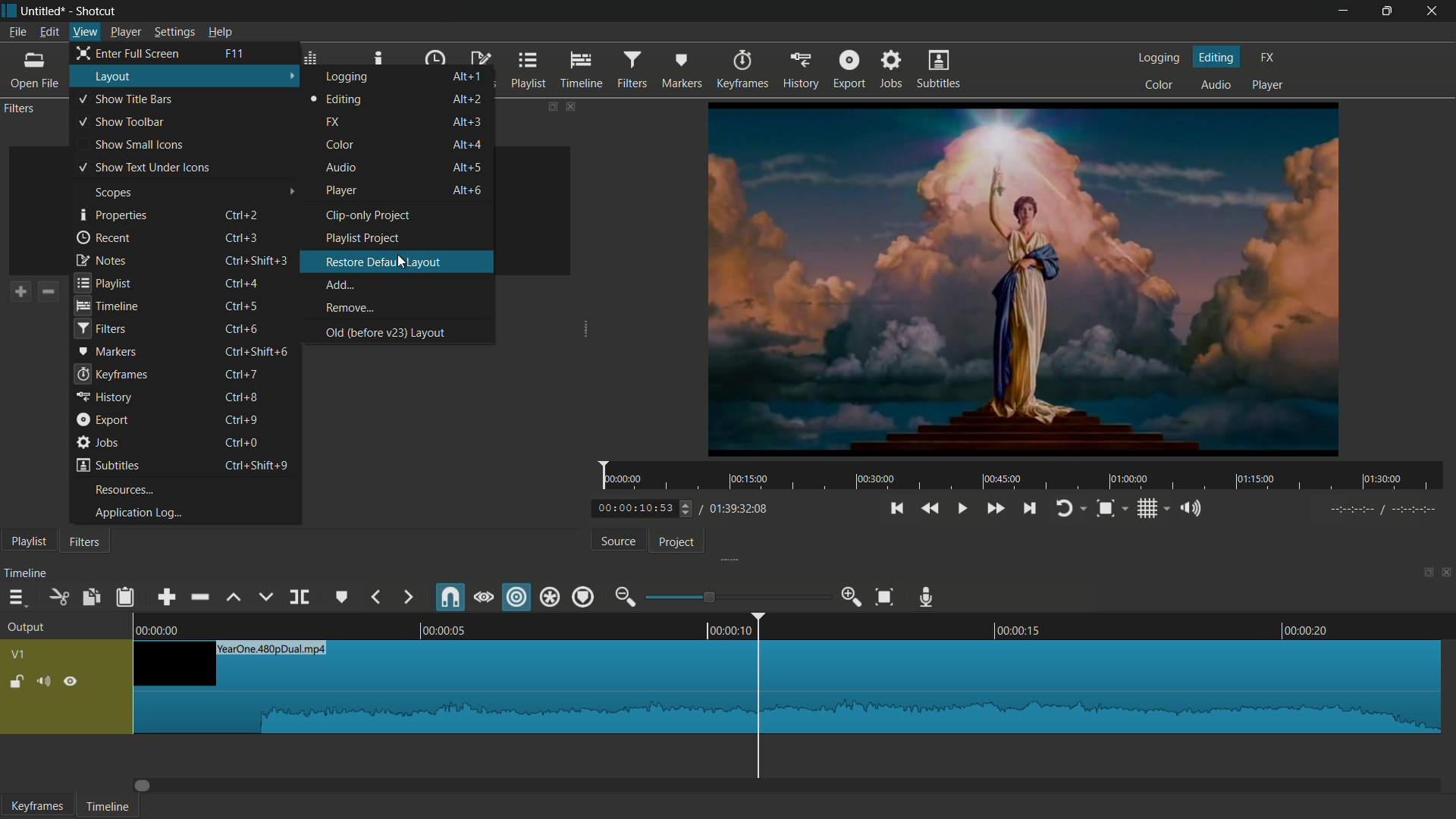 Image resolution: width=1456 pixels, height=819 pixels. Describe the element at coordinates (1266, 58) in the screenshot. I see `fx` at that location.